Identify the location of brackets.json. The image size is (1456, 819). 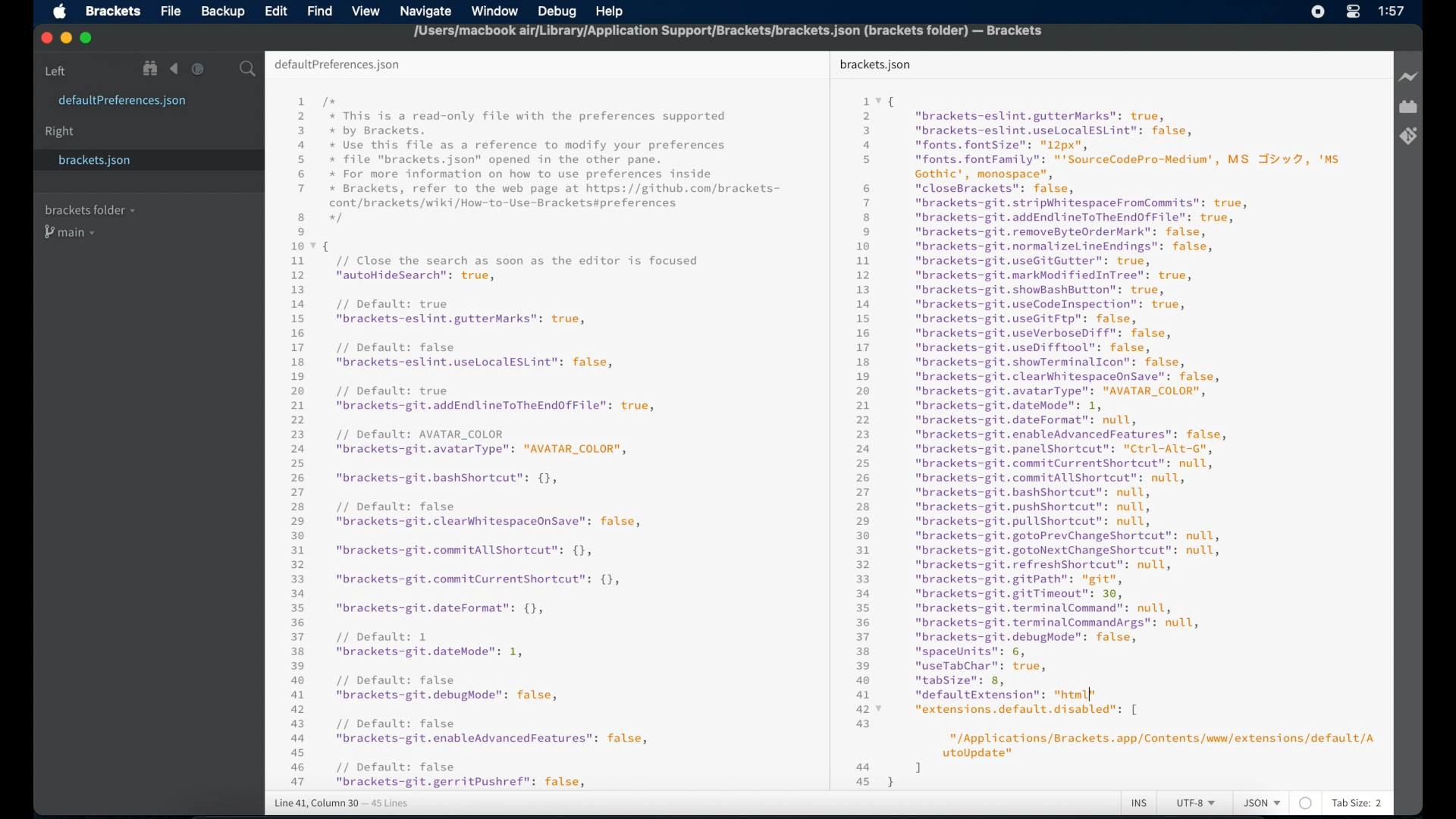
(114, 161).